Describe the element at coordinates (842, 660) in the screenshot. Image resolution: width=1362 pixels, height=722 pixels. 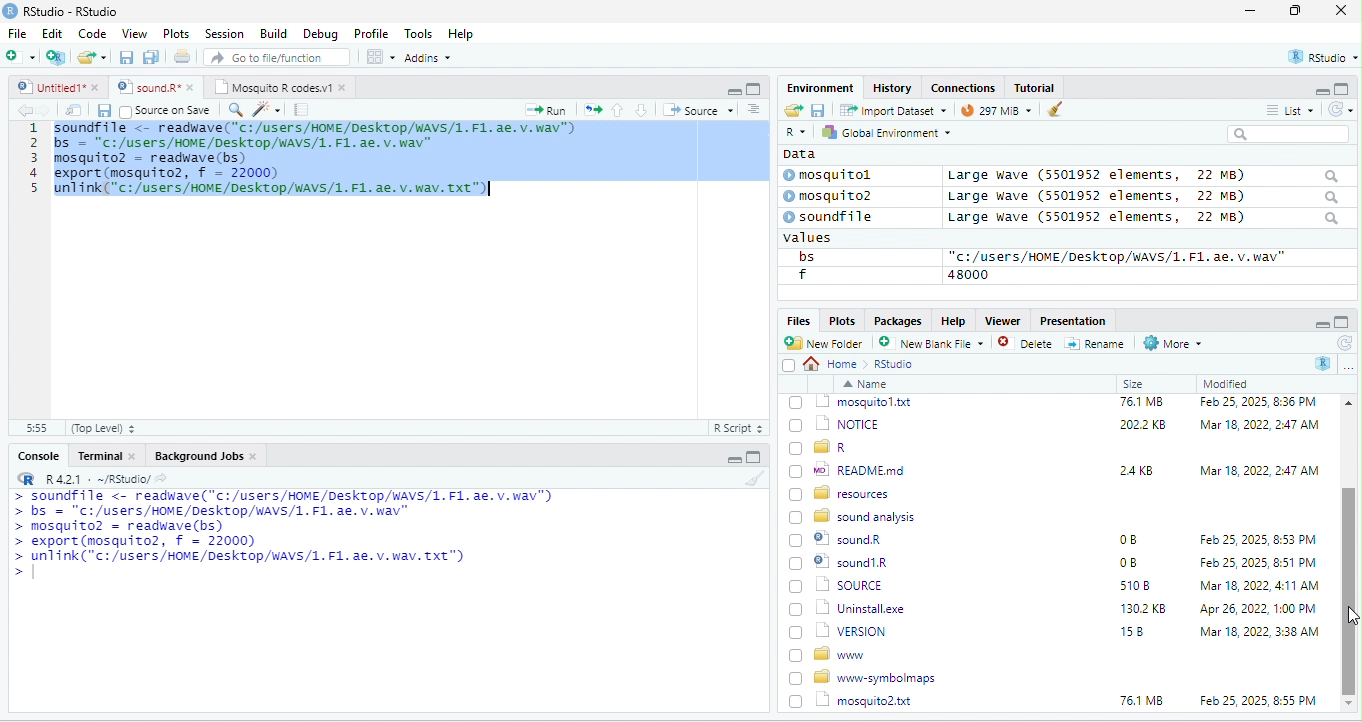
I see `© sound1R` at that location.